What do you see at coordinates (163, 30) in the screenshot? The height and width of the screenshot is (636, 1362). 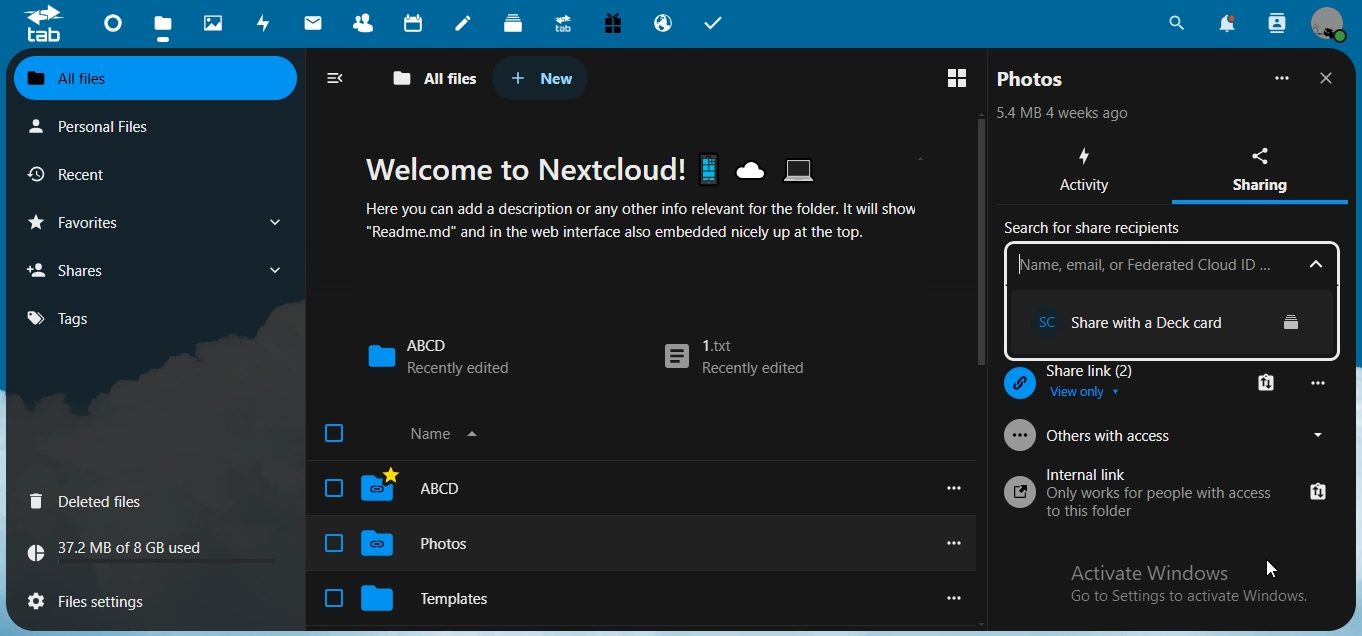 I see `files` at bounding box center [163, 30].